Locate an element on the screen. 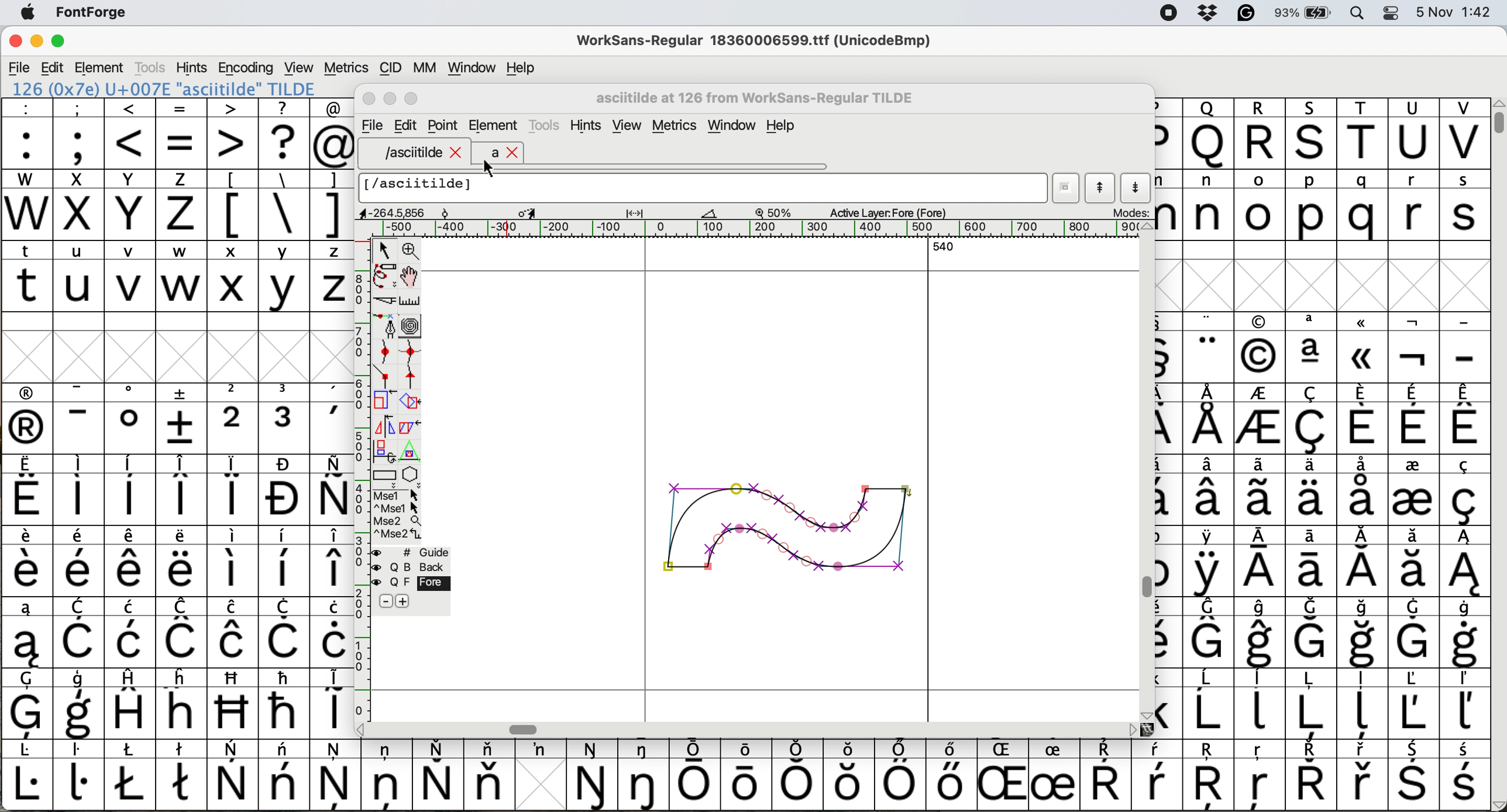  symbol is located at coordinates (1209, 632).